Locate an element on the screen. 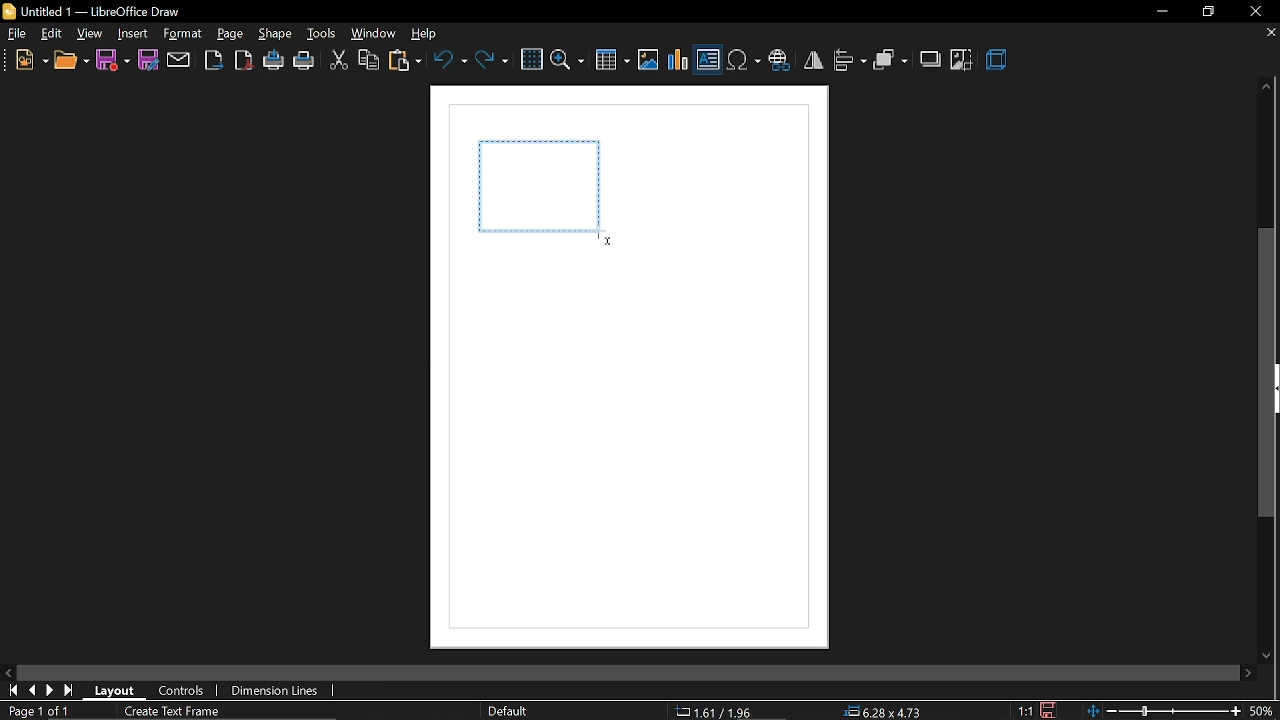 The image size is (1280, 720). 3d effect is located at coordinates (999, 61).